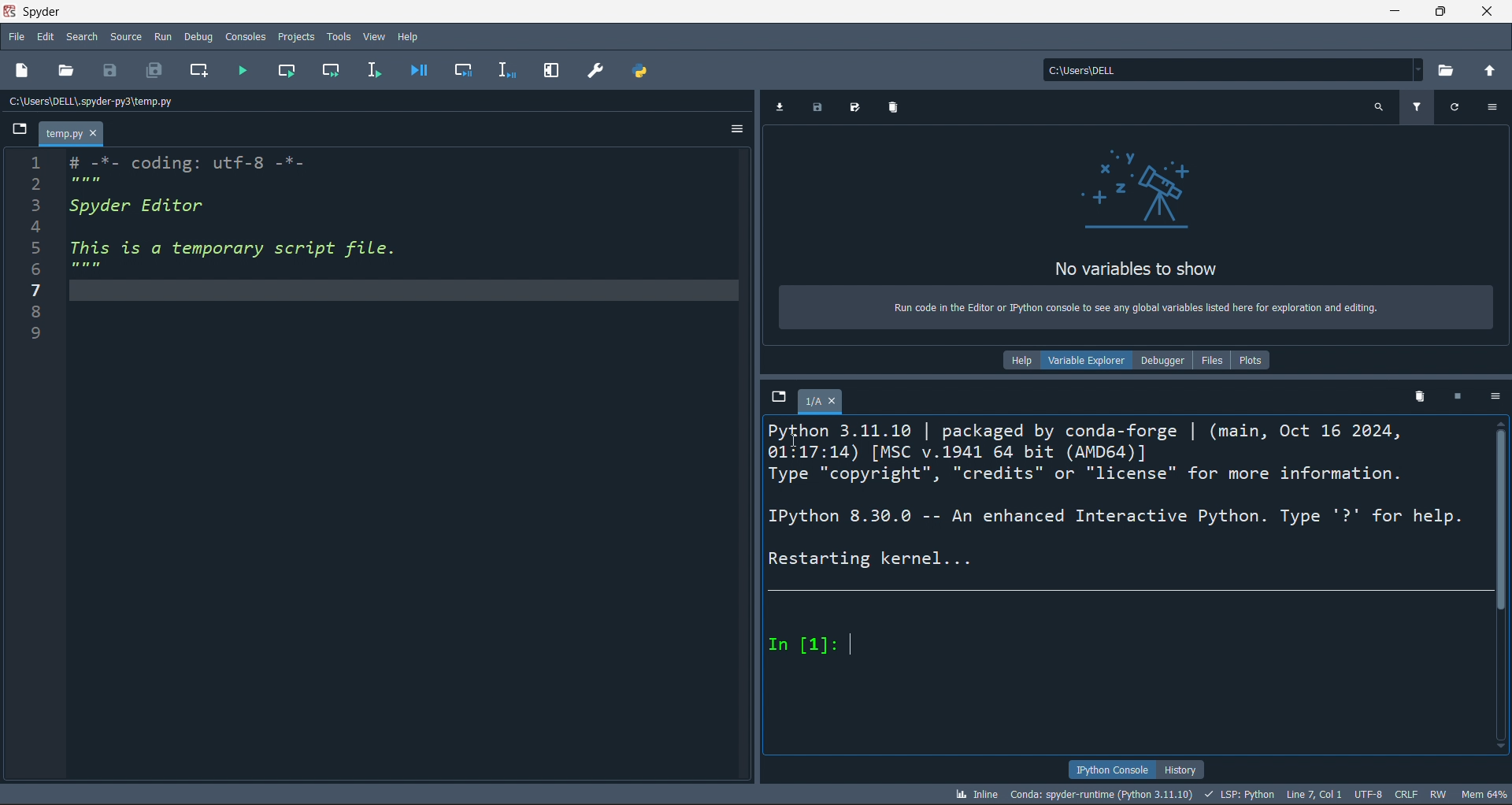 The image size is (1512, 805). I want to click on HISTORY, so click(1184, 766).